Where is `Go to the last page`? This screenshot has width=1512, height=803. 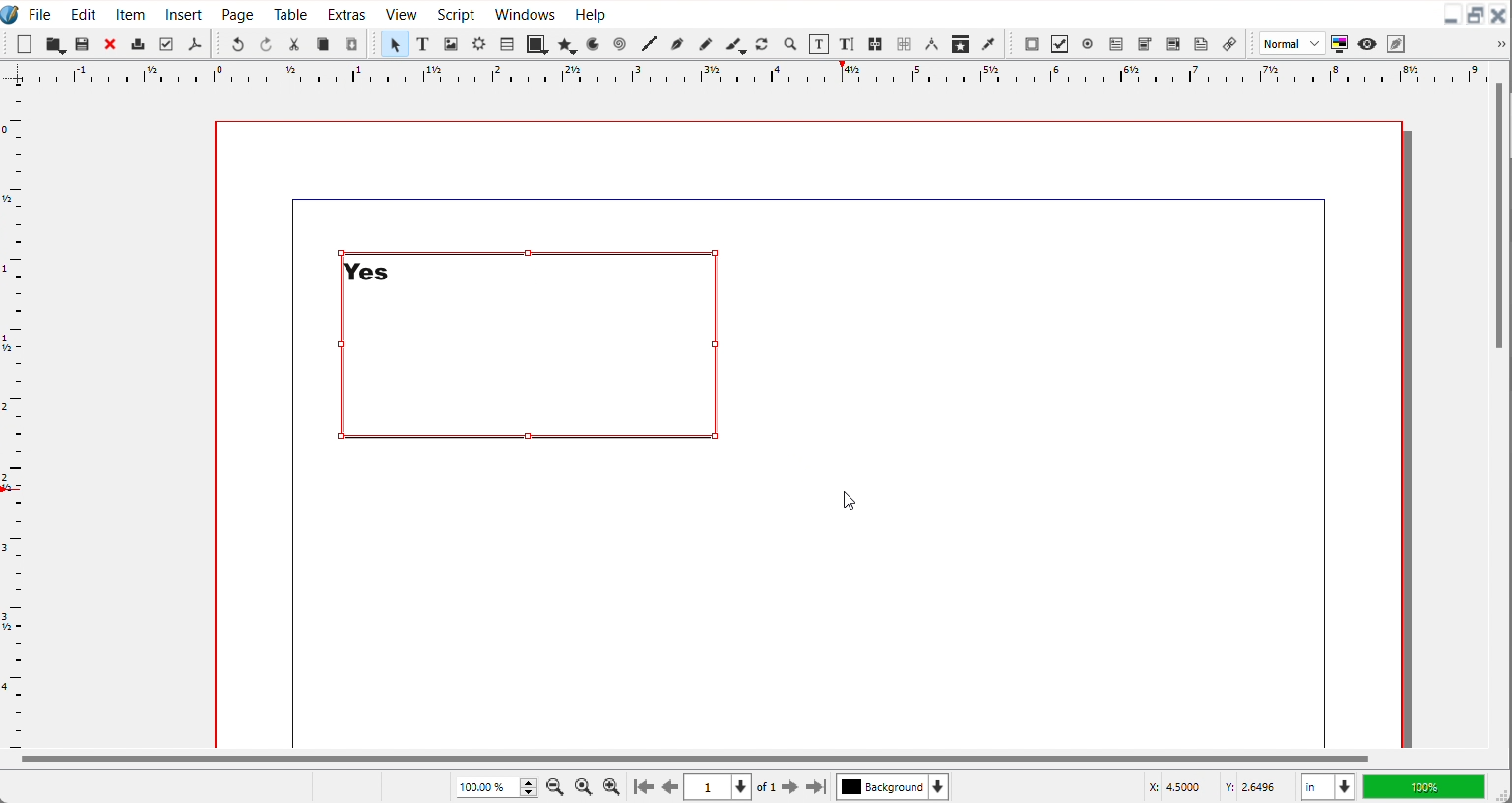
Go to the last page is located at coordinates (816, 787).